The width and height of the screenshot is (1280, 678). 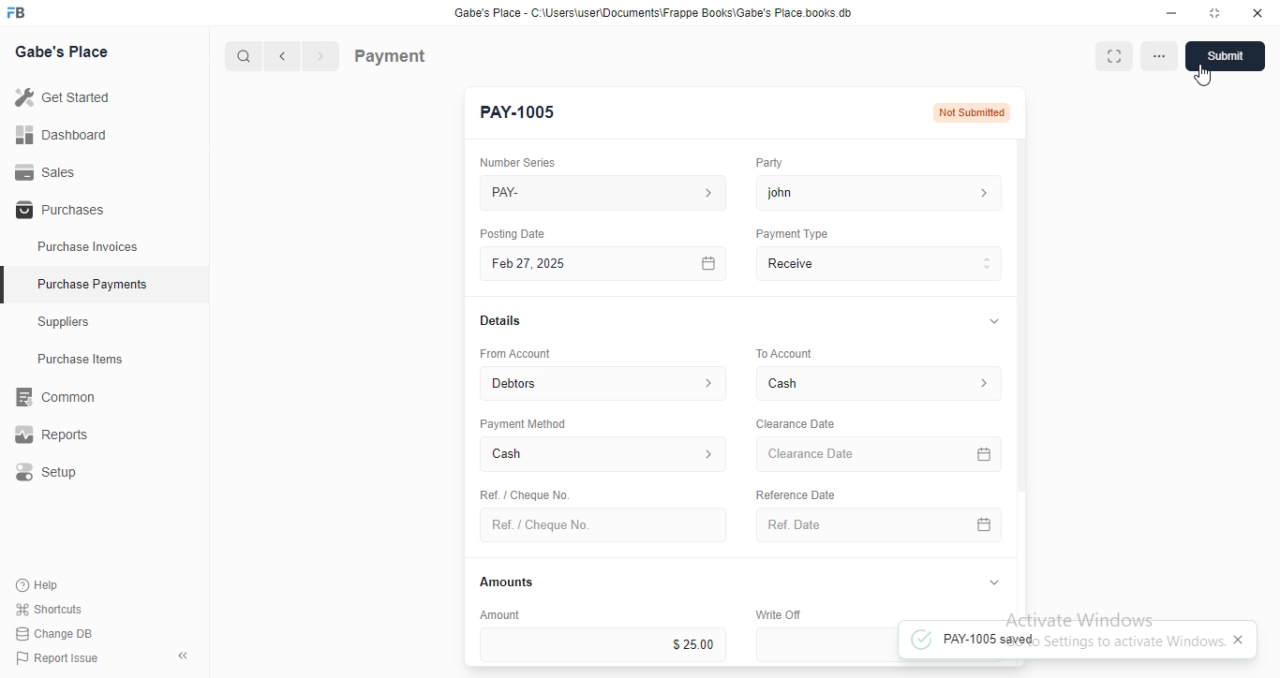 What do you see at coordinates (826, 644) in the screenshot?
I see `$0.00` at bounding box center [826, 644].